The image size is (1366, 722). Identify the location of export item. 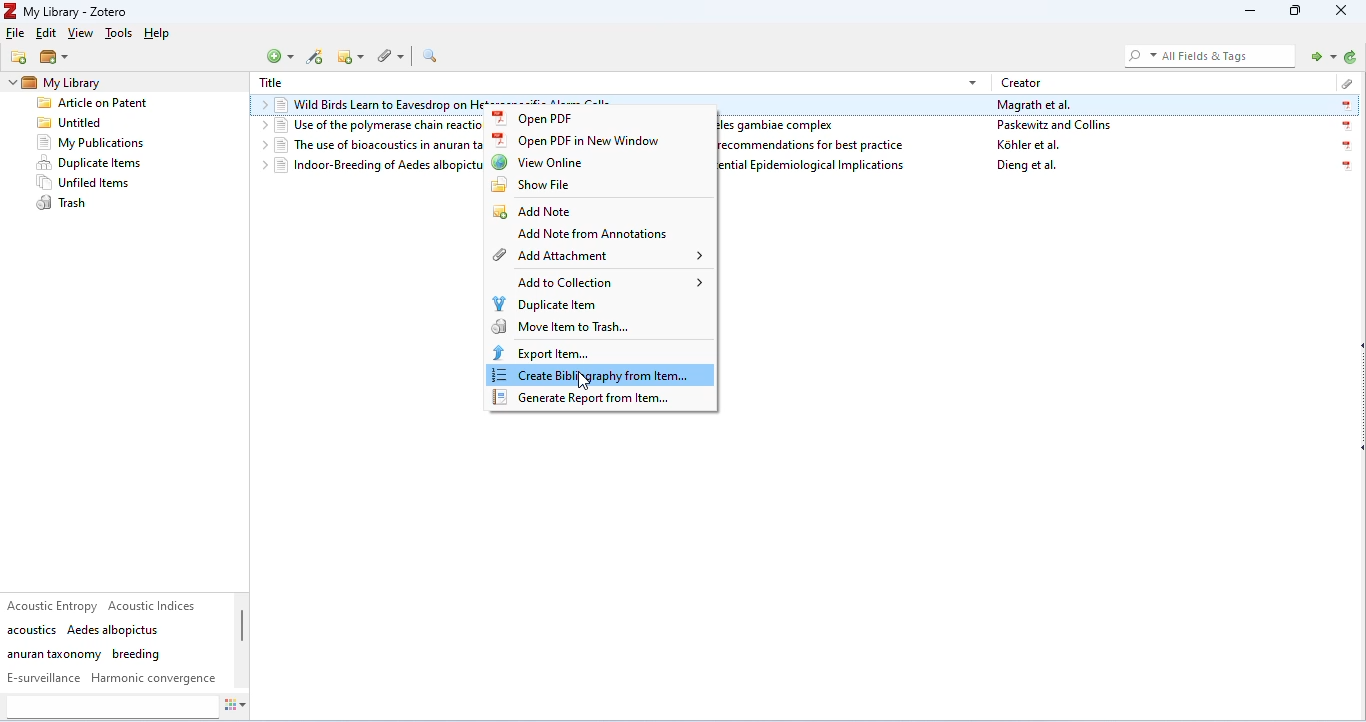
(541, 352).